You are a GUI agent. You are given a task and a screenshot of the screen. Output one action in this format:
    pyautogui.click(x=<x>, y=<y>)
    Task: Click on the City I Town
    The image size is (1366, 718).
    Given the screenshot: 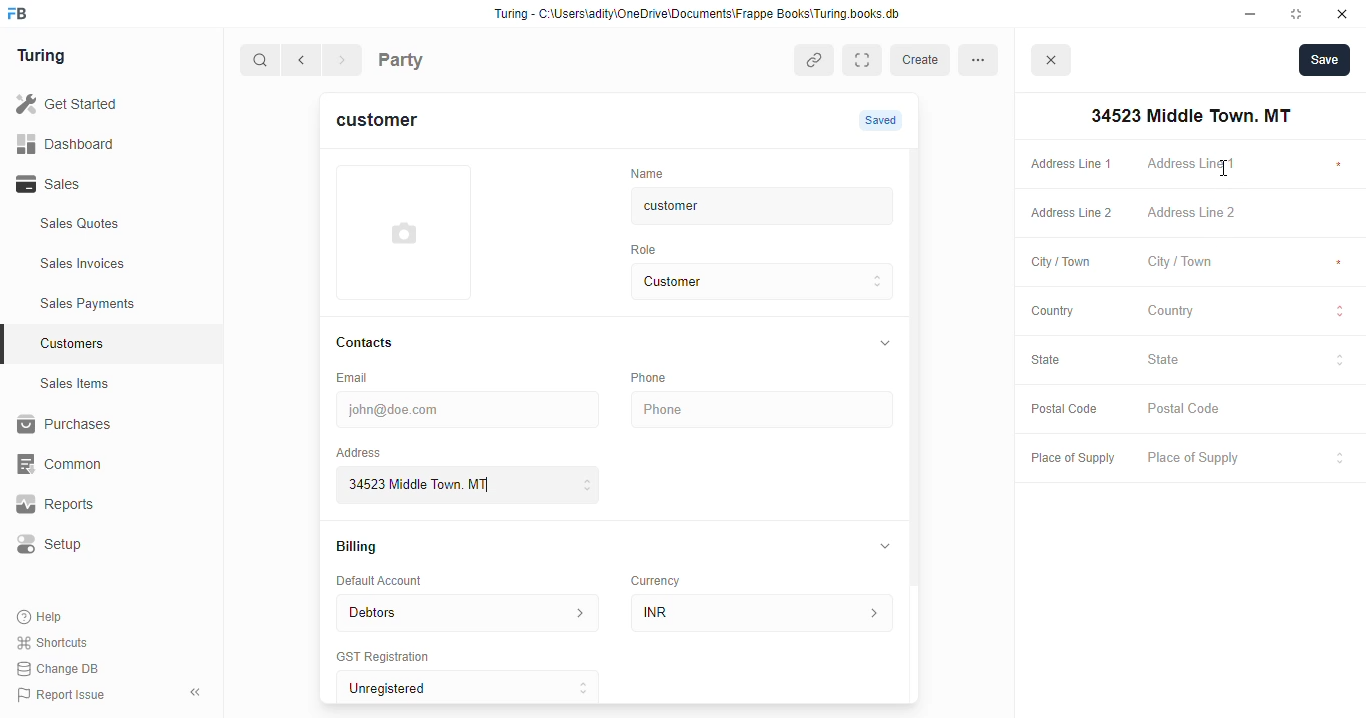 What is the action you would take?
    pyautogui.click(x=1246, y=263)
    